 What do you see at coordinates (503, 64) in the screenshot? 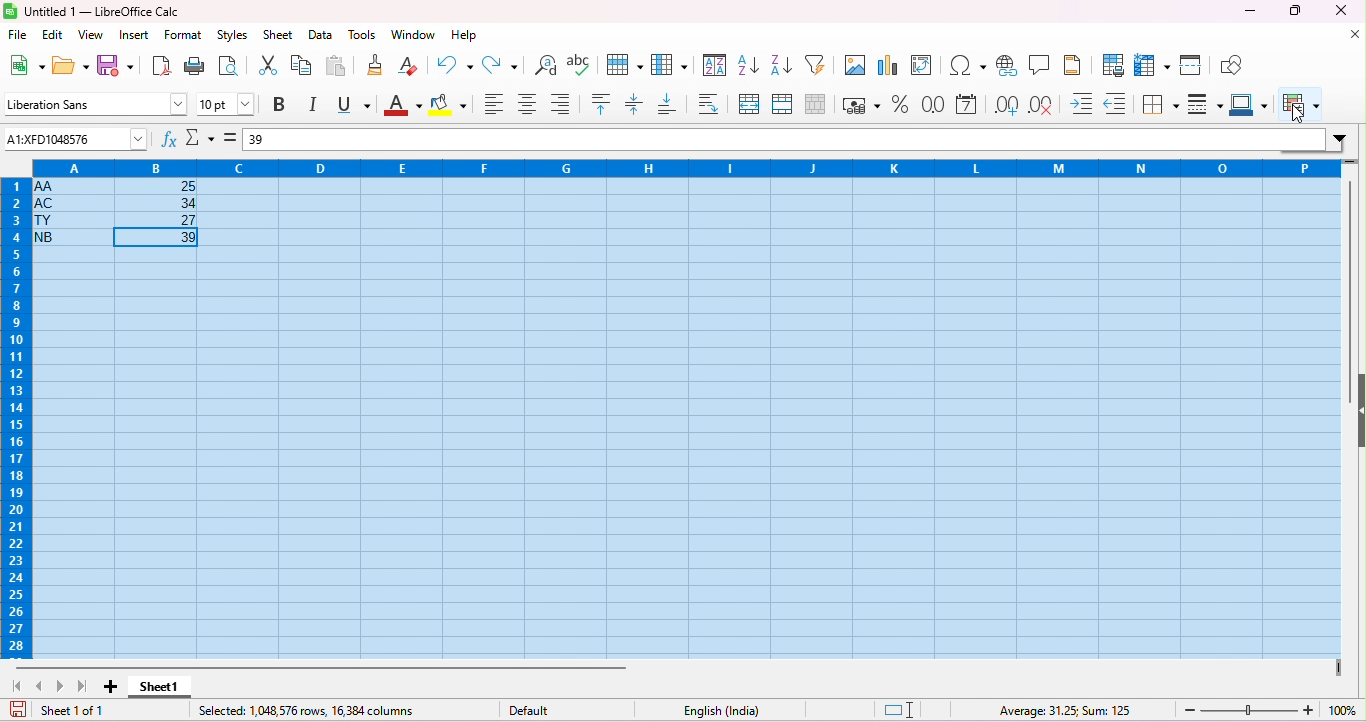
I see `redo` at bounding box center [503, 64].